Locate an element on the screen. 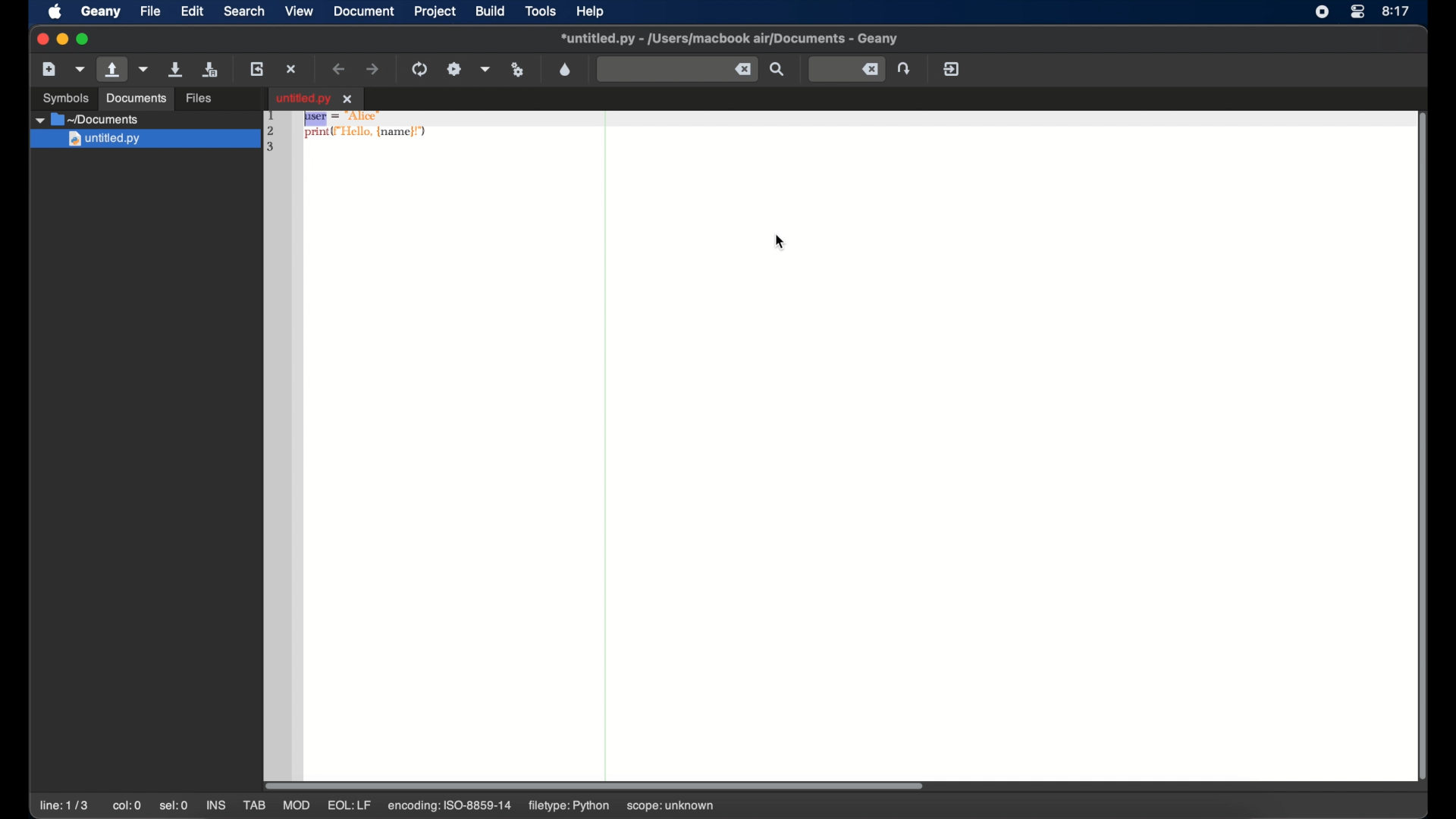 The height and width of the screenshot is (819, 1456). compile the current file is located at coordinates (419, 69).